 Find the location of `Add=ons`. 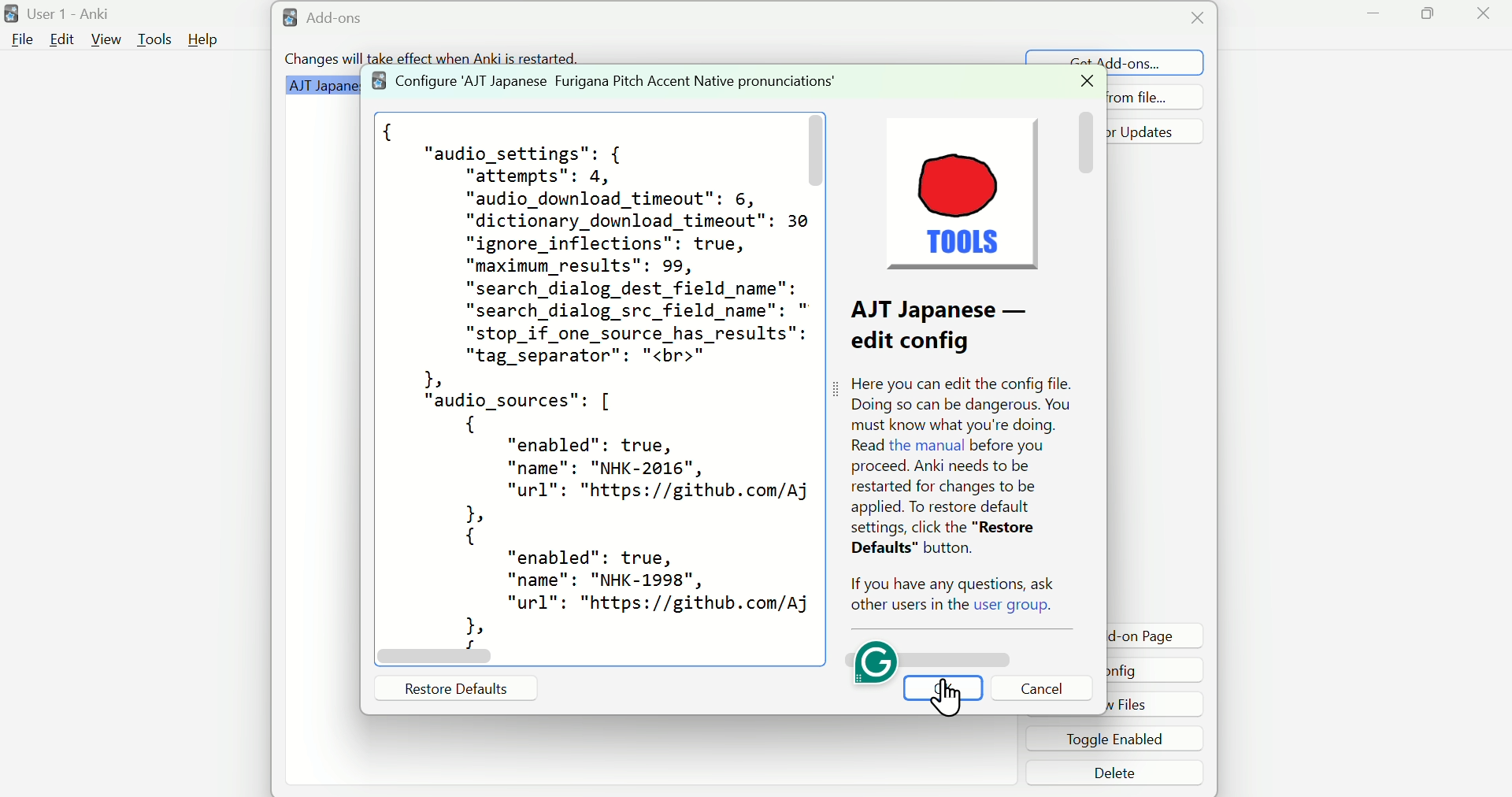

Add=ons is located at coordinates (333, 17).